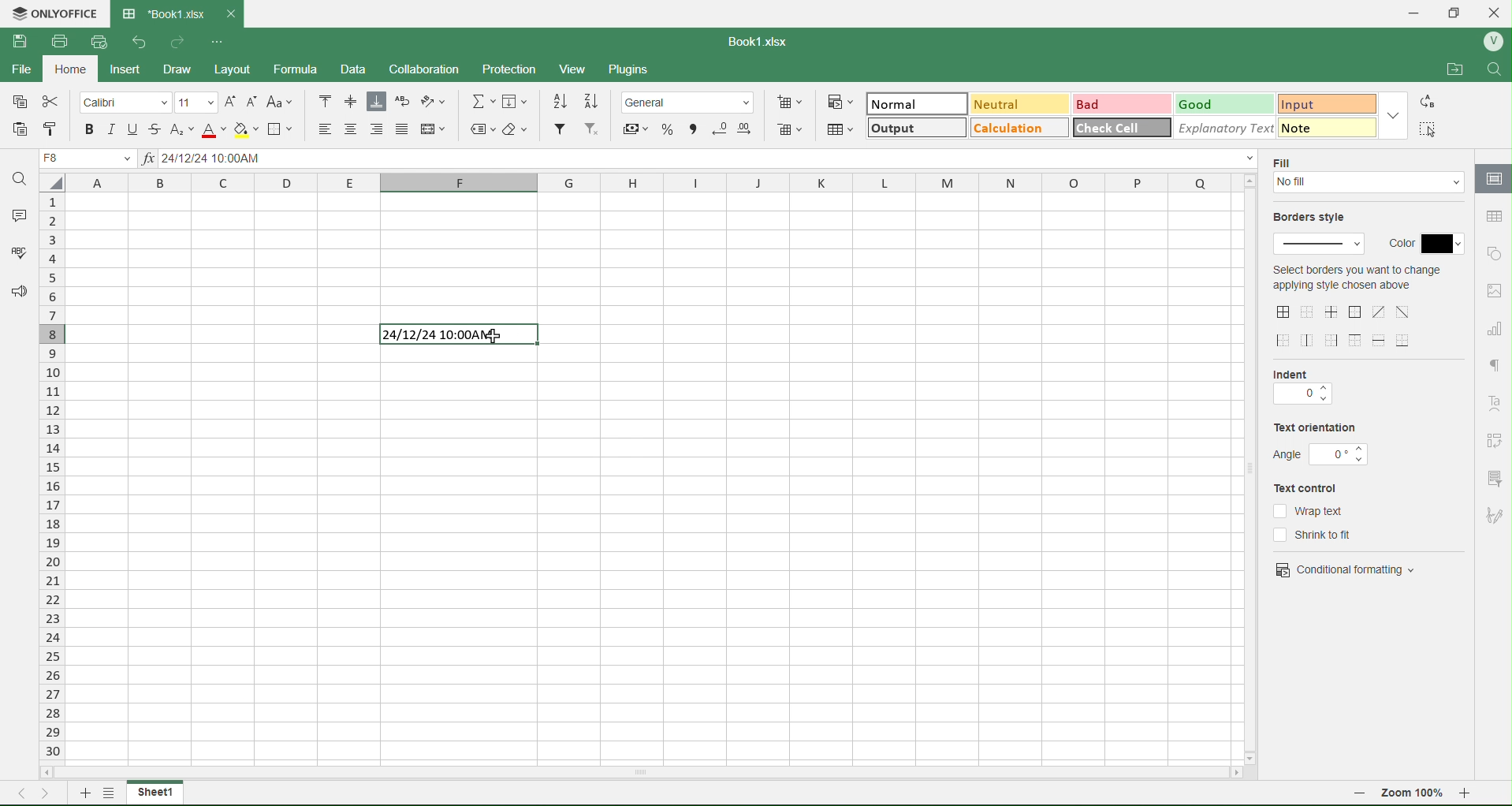 The image size is (1512, 806). I want to click on Data, so click(362, 69).